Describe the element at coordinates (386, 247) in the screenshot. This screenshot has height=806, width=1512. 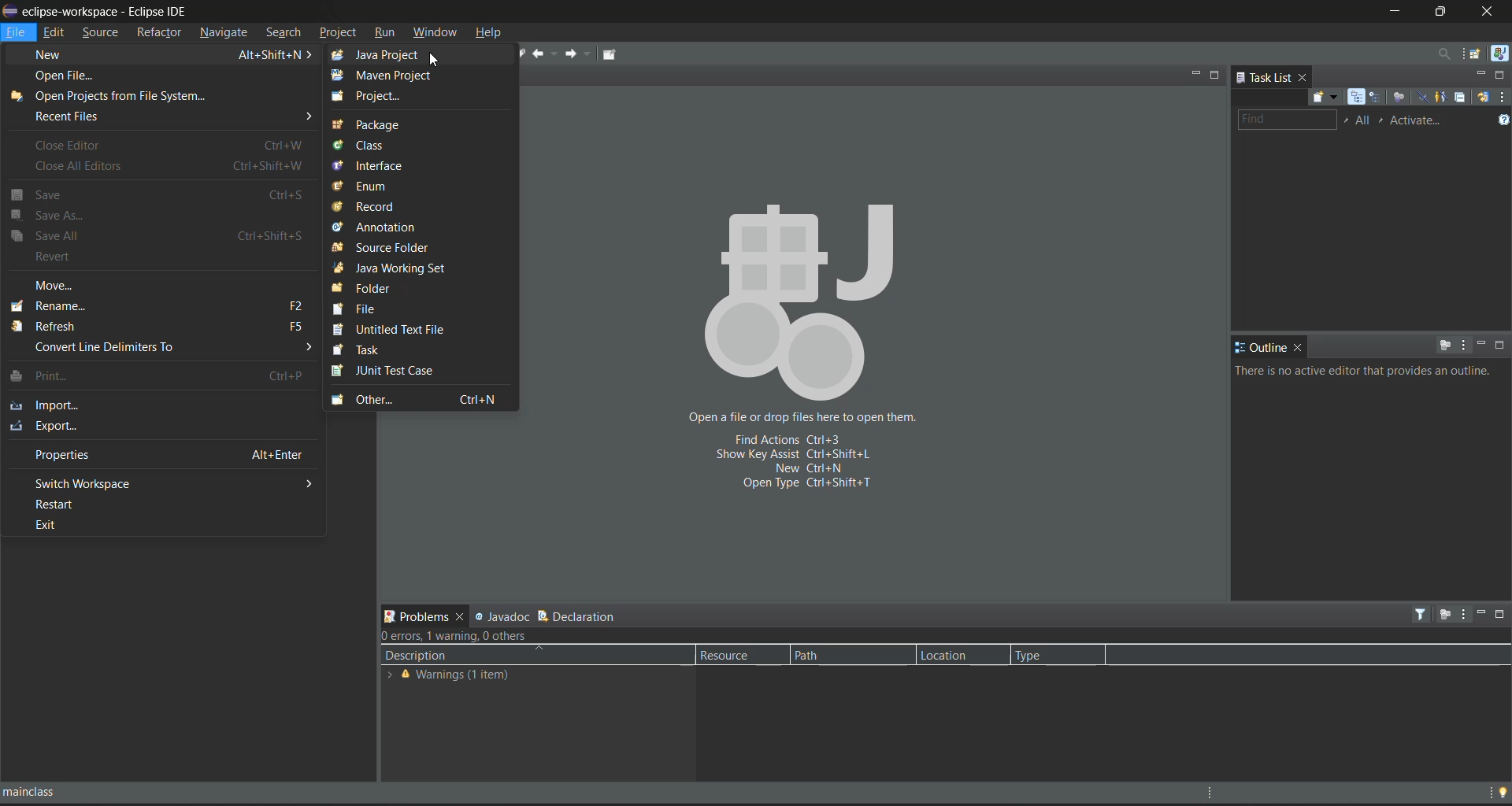
I see `source folder` at that location.